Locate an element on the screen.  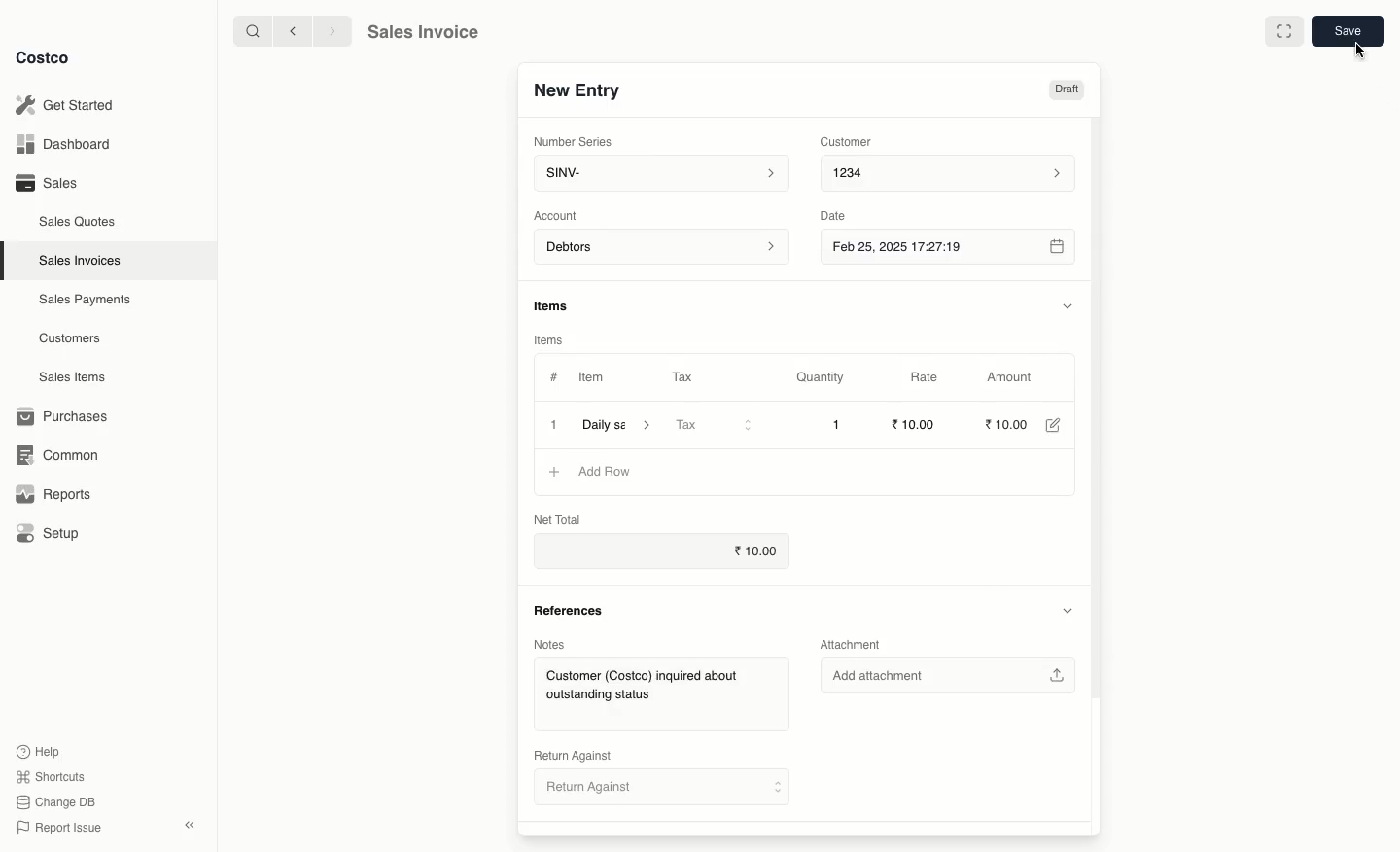
SINV-1001 is located at coordinates (586, 89).